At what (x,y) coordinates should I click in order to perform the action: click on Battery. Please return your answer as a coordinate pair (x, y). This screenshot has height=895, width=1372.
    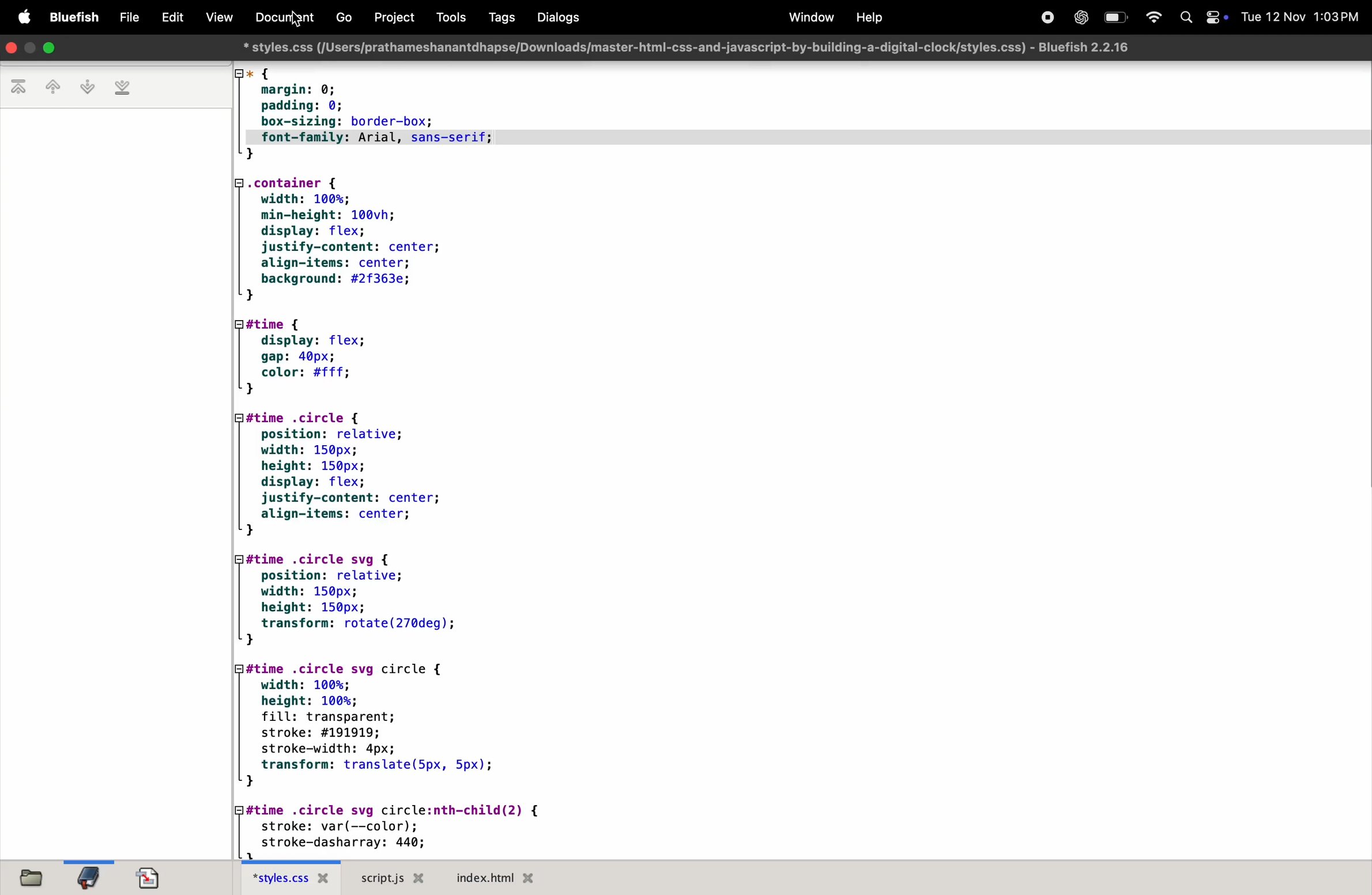
    Looking at the image, I should click on (1118, 16).